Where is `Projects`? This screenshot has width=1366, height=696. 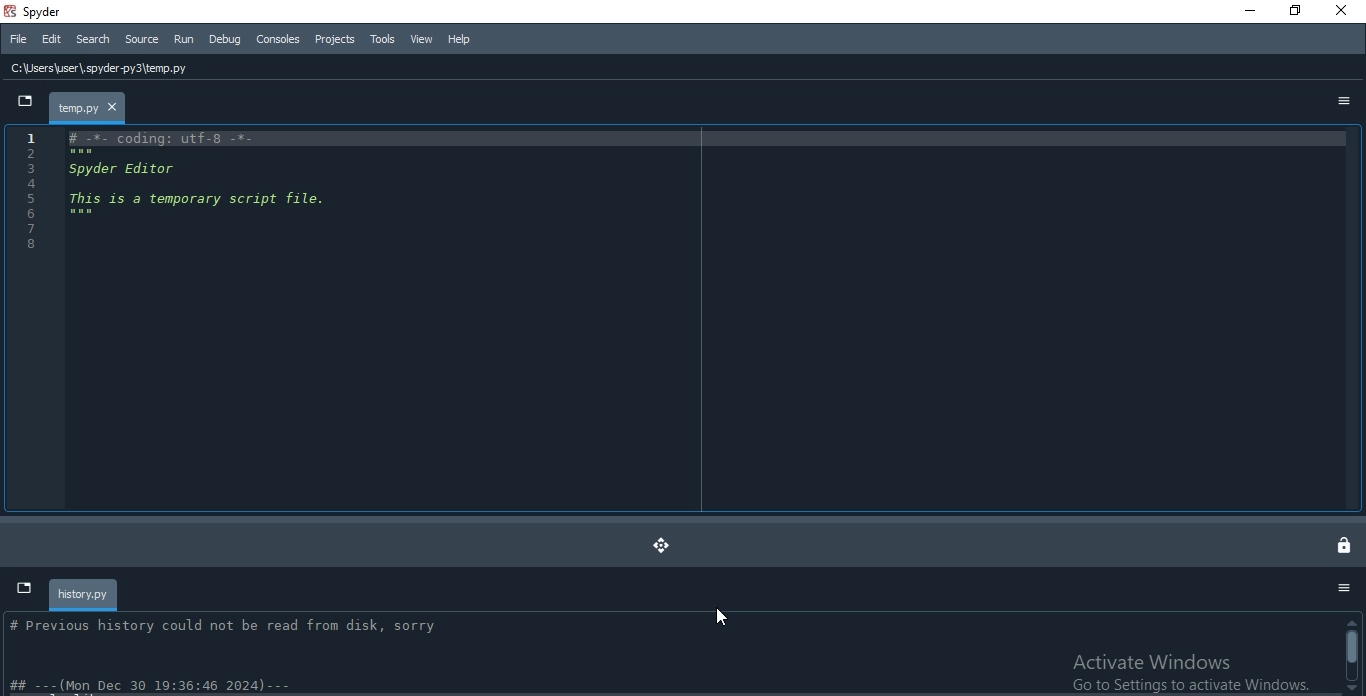 Projects is located at coordinates (334, 40).